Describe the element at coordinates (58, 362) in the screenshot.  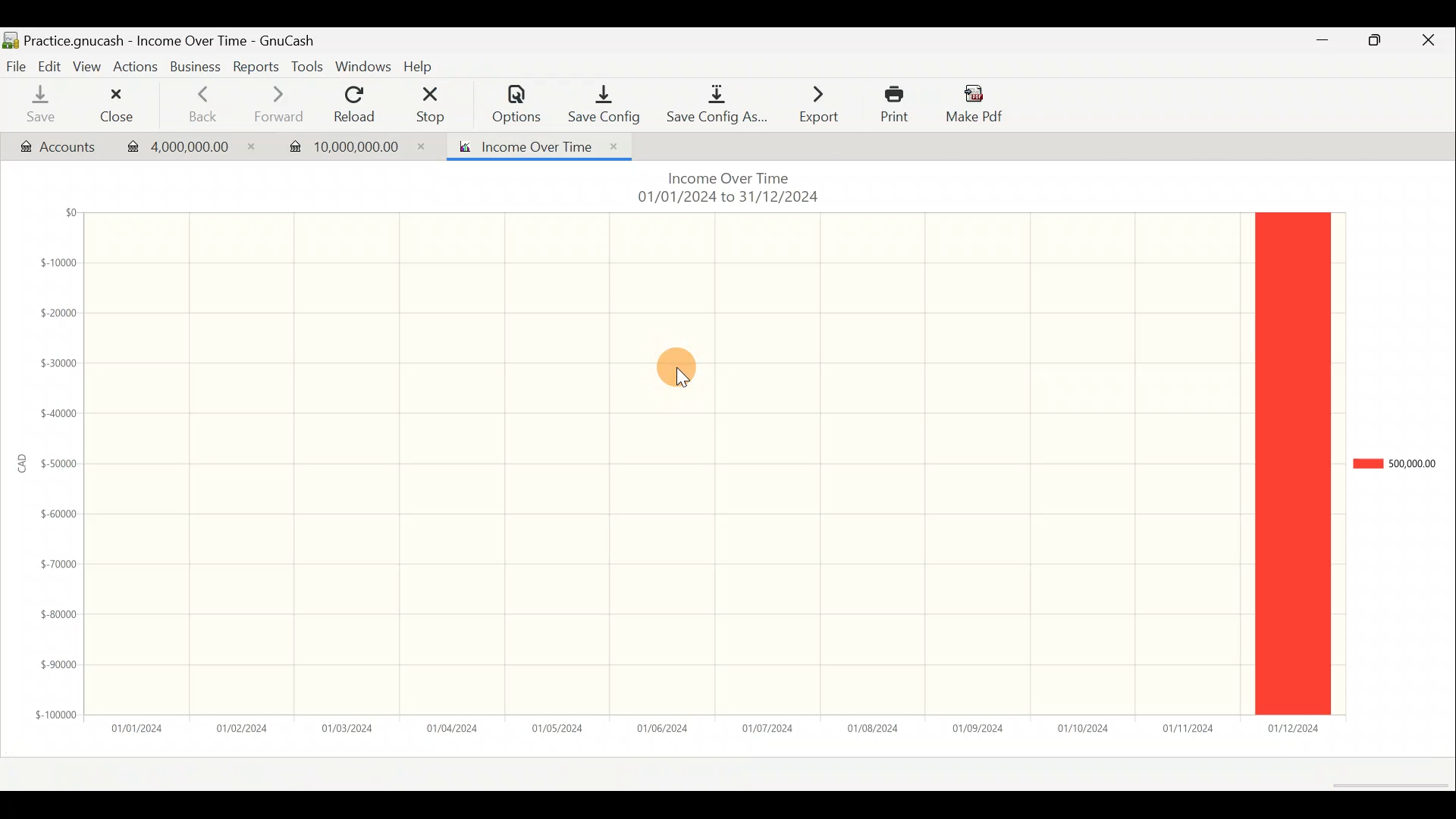
I see `$-30000` at that location.